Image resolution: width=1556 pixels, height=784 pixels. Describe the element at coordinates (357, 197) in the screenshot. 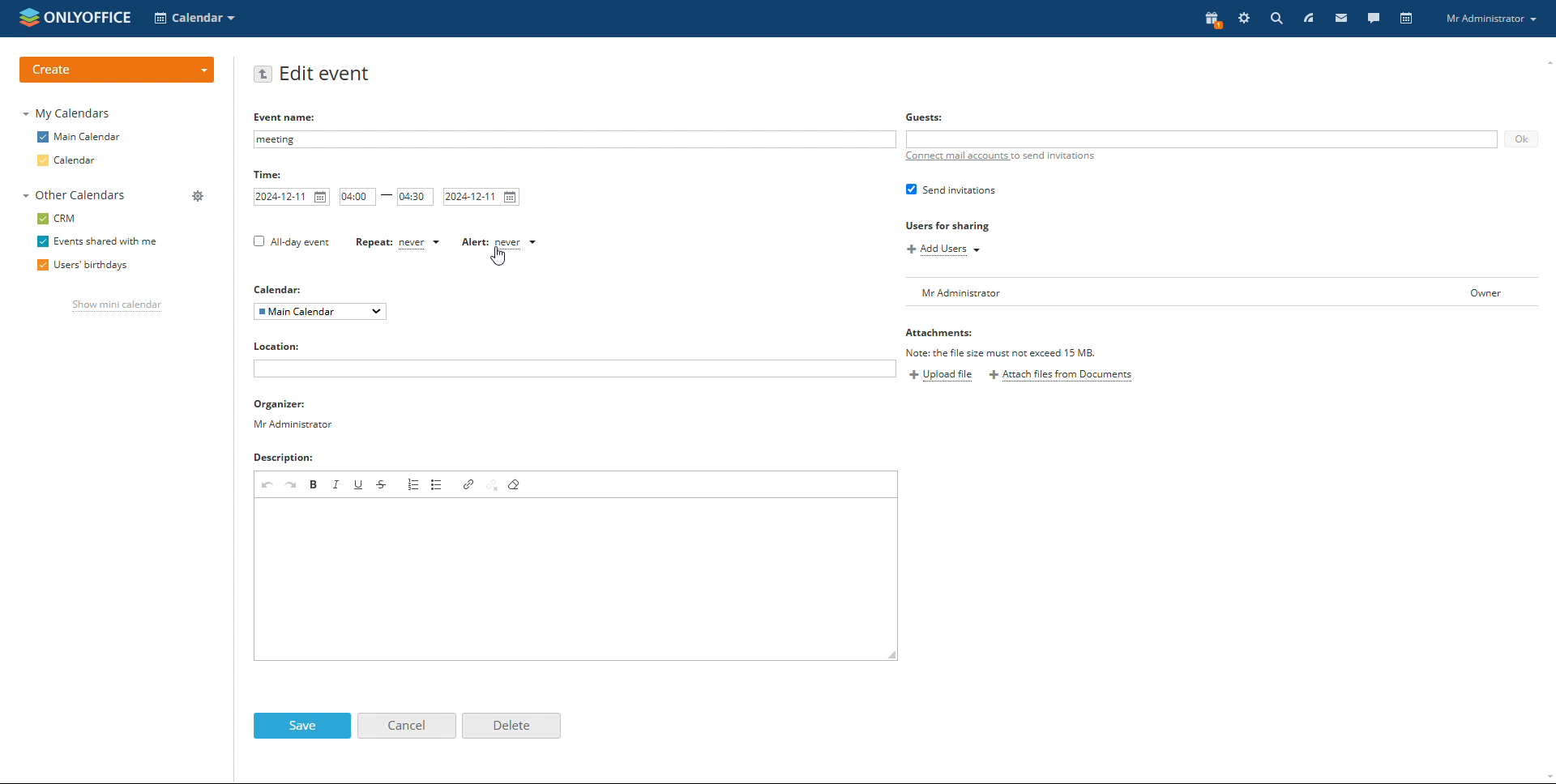

I see `start time` at that location.